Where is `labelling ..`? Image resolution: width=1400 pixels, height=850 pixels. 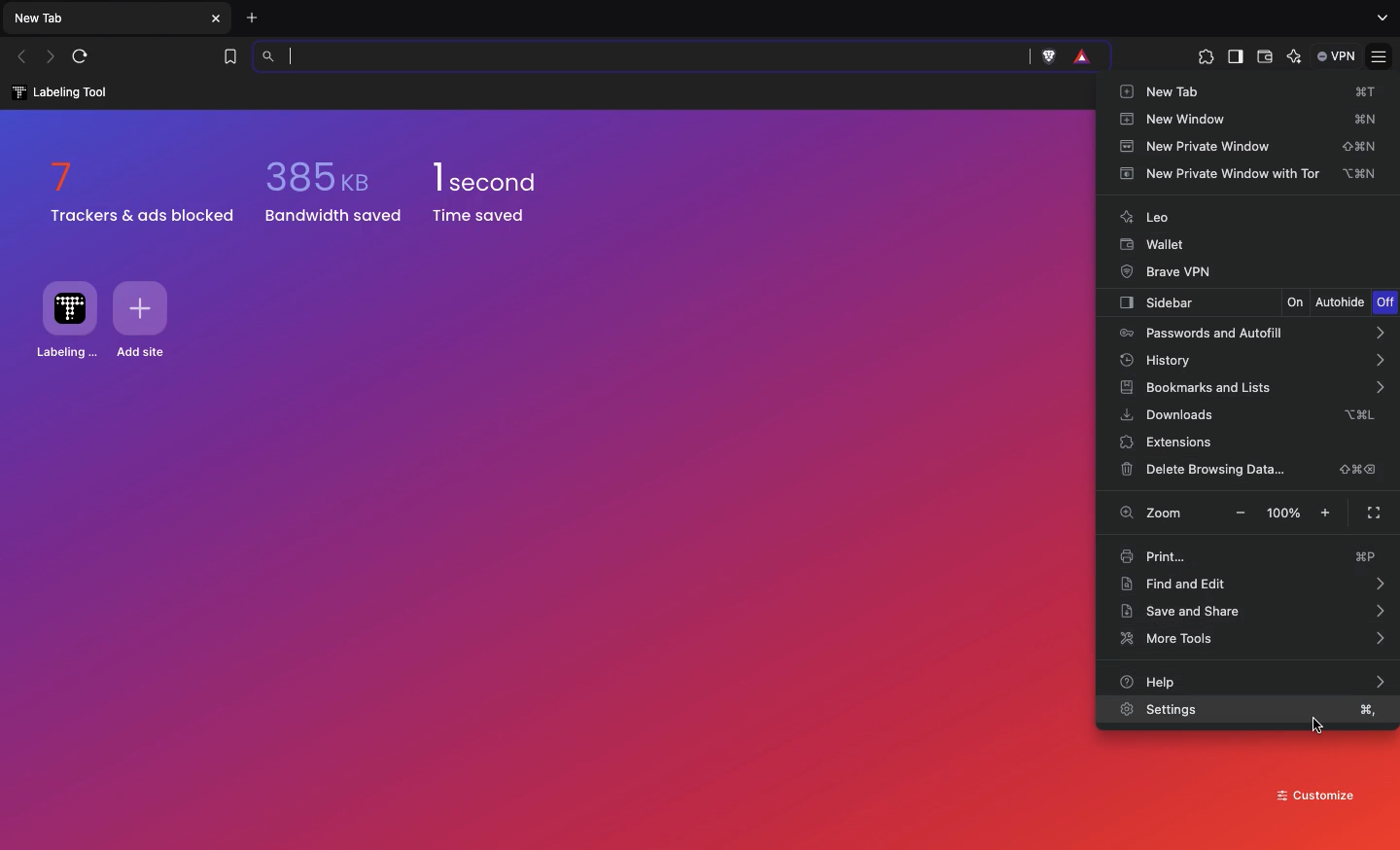
labelling .. is located at coordinates (67, 319).